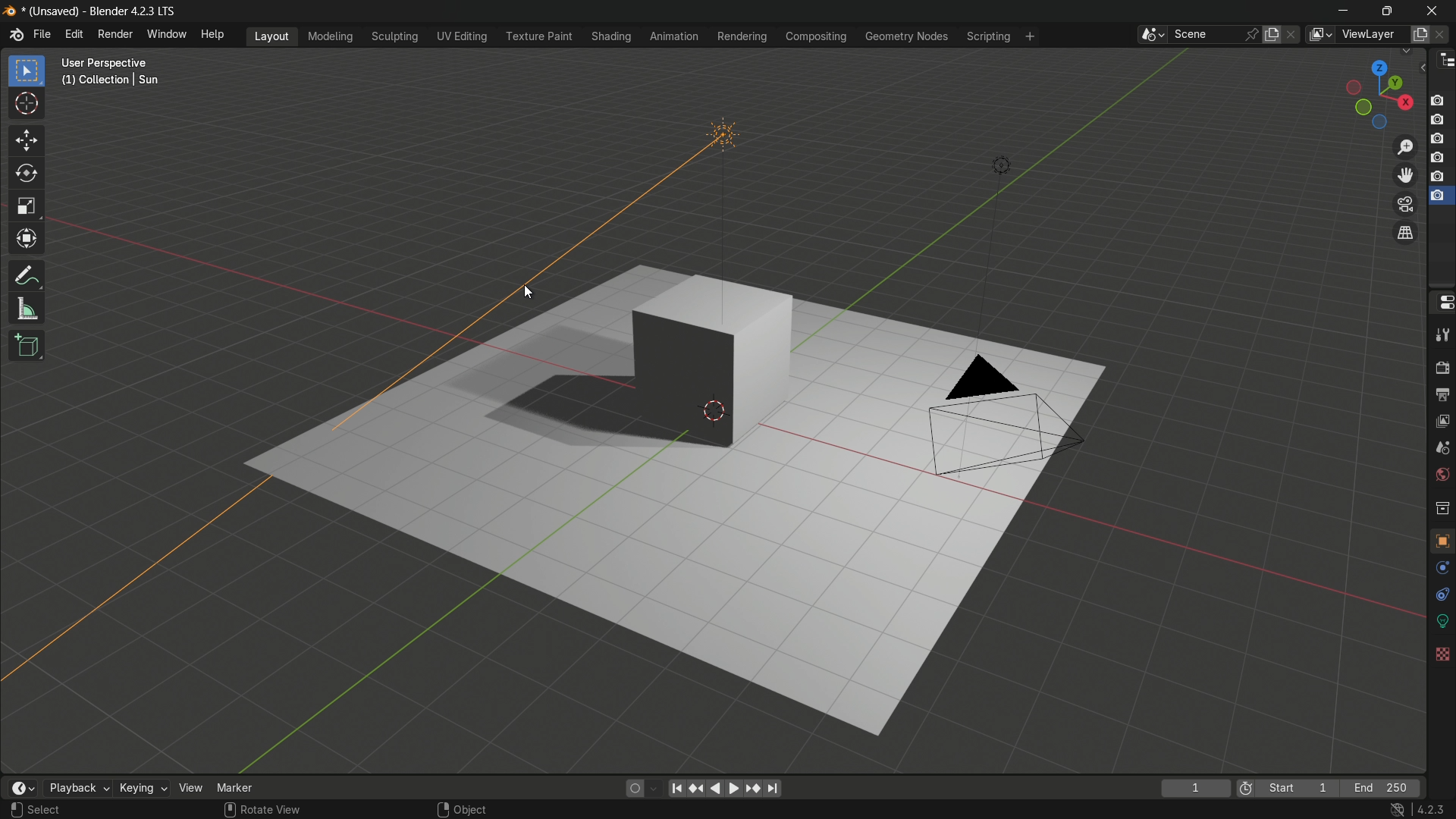 The height and width of the screenshot is (819, 1456). Describe the element at coordinates (14, 808) in the screenshot. I see `left click` at that location.